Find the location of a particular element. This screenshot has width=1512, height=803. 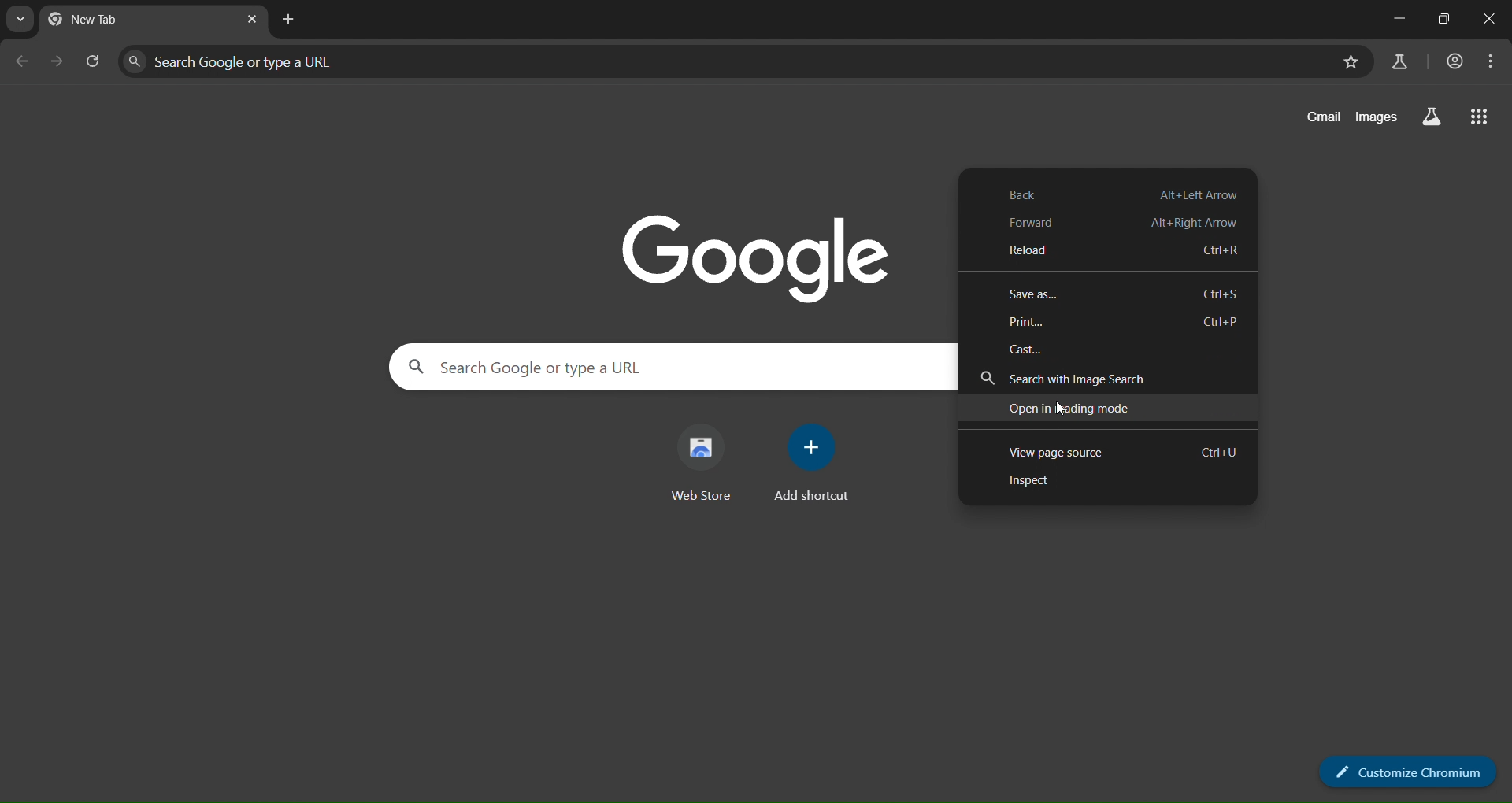

open in reading mode is located at coordinates (1071, 407).